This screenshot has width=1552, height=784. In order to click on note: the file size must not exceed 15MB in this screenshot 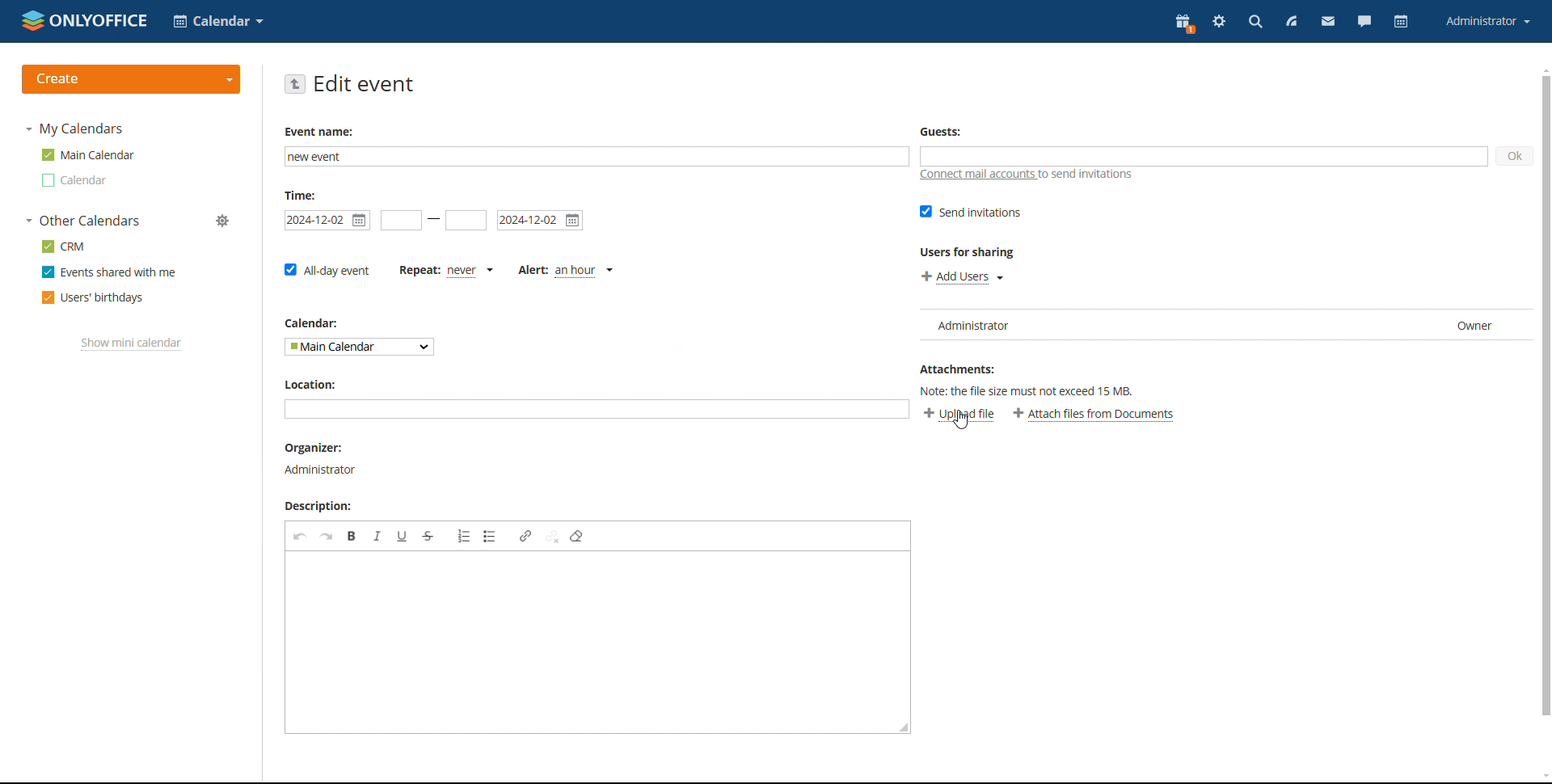, I will do `click(1035, 392)`.